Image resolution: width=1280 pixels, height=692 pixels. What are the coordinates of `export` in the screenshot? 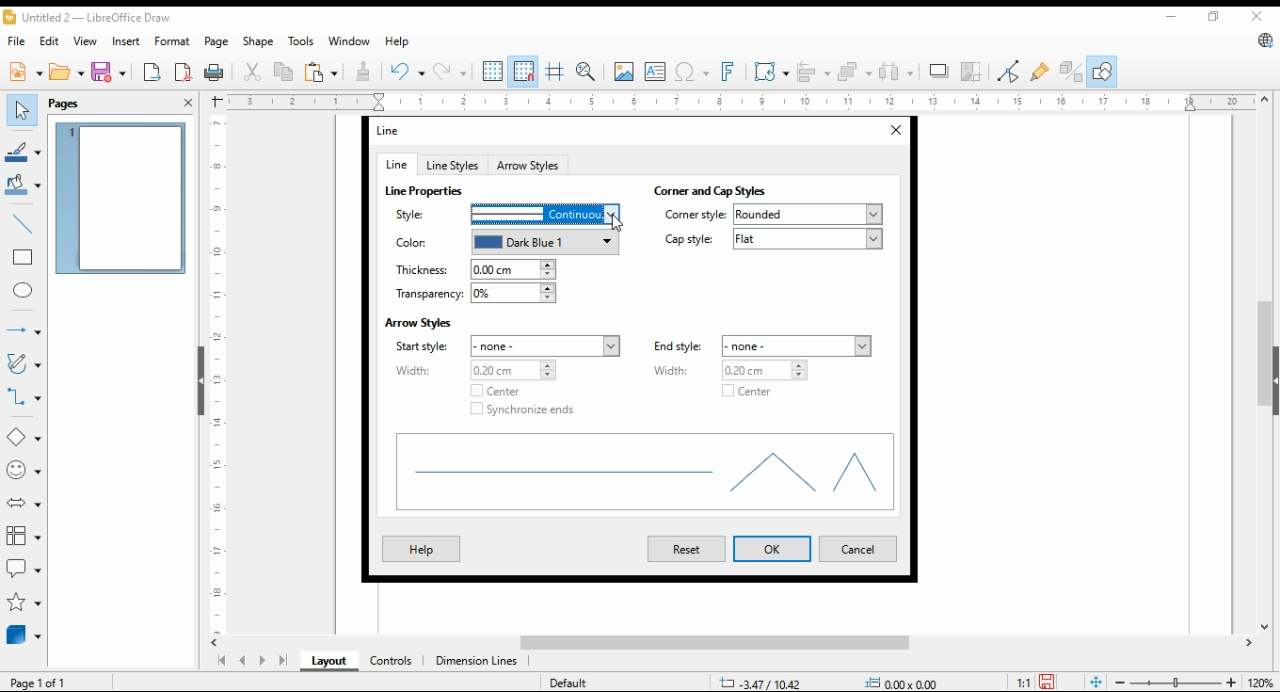 It's located at (153, 71).